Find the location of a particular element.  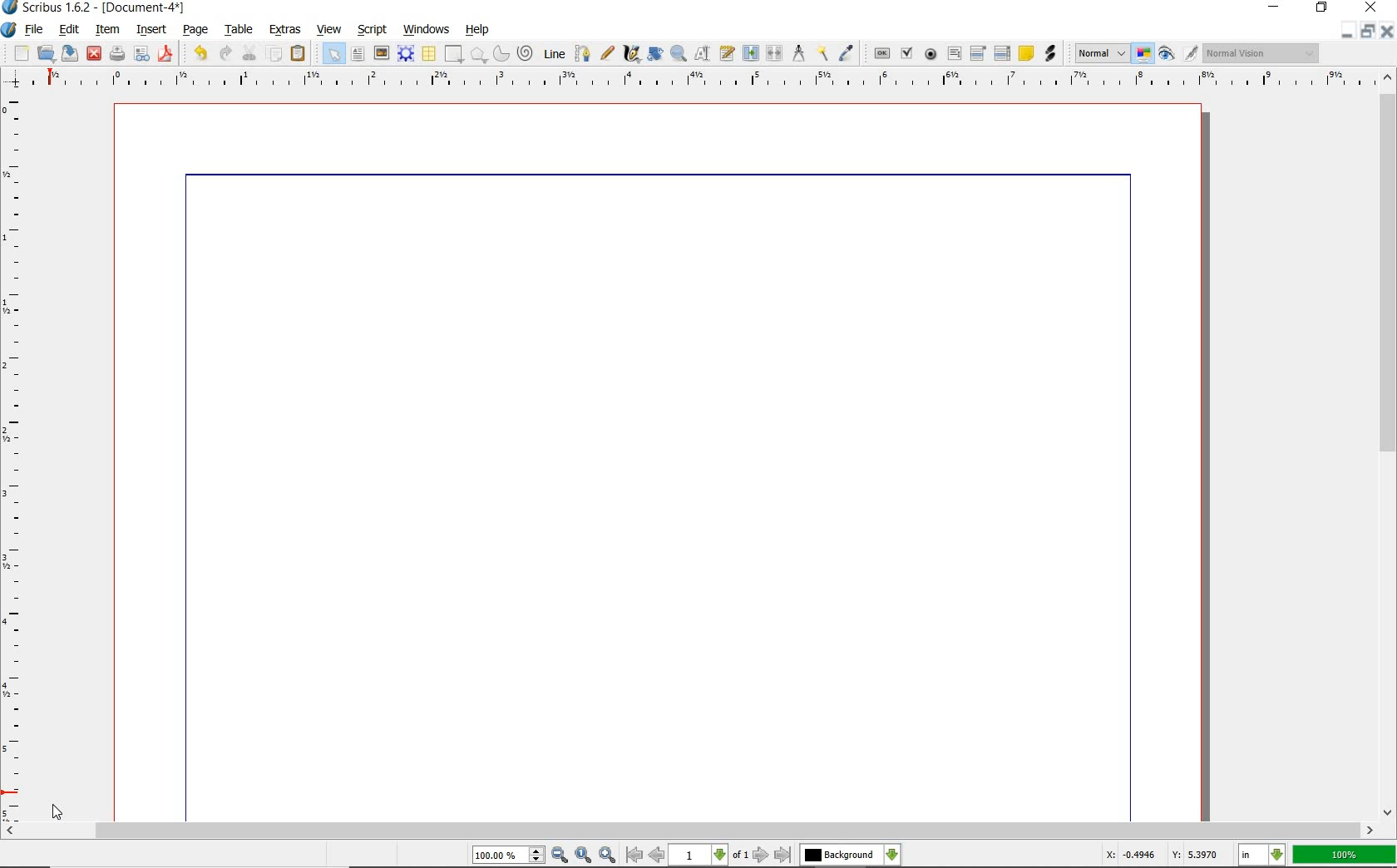

save is located at coordinates (71, 53).